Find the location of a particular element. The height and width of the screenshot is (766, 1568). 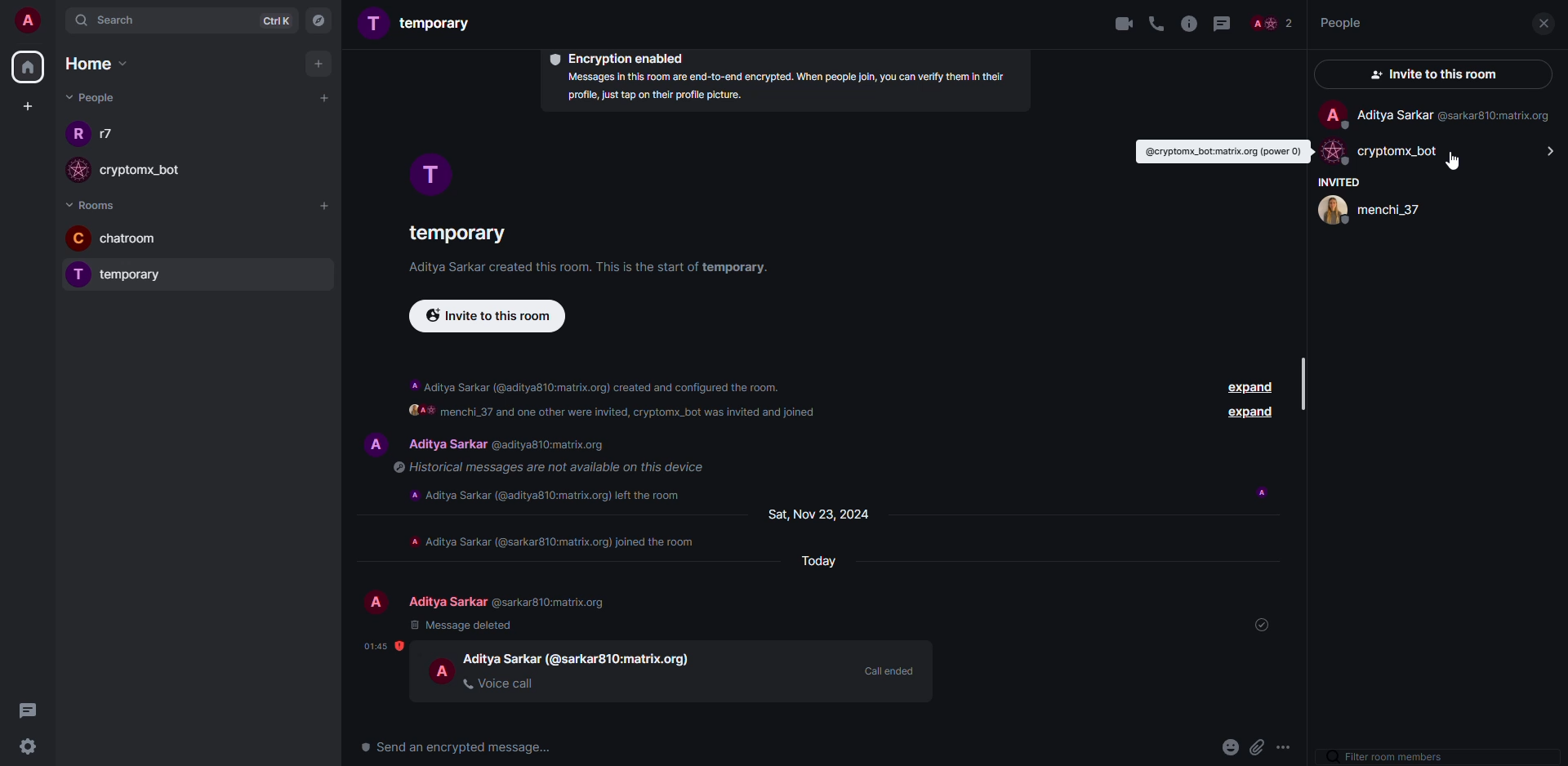

info is located at coordinates (782, 89).